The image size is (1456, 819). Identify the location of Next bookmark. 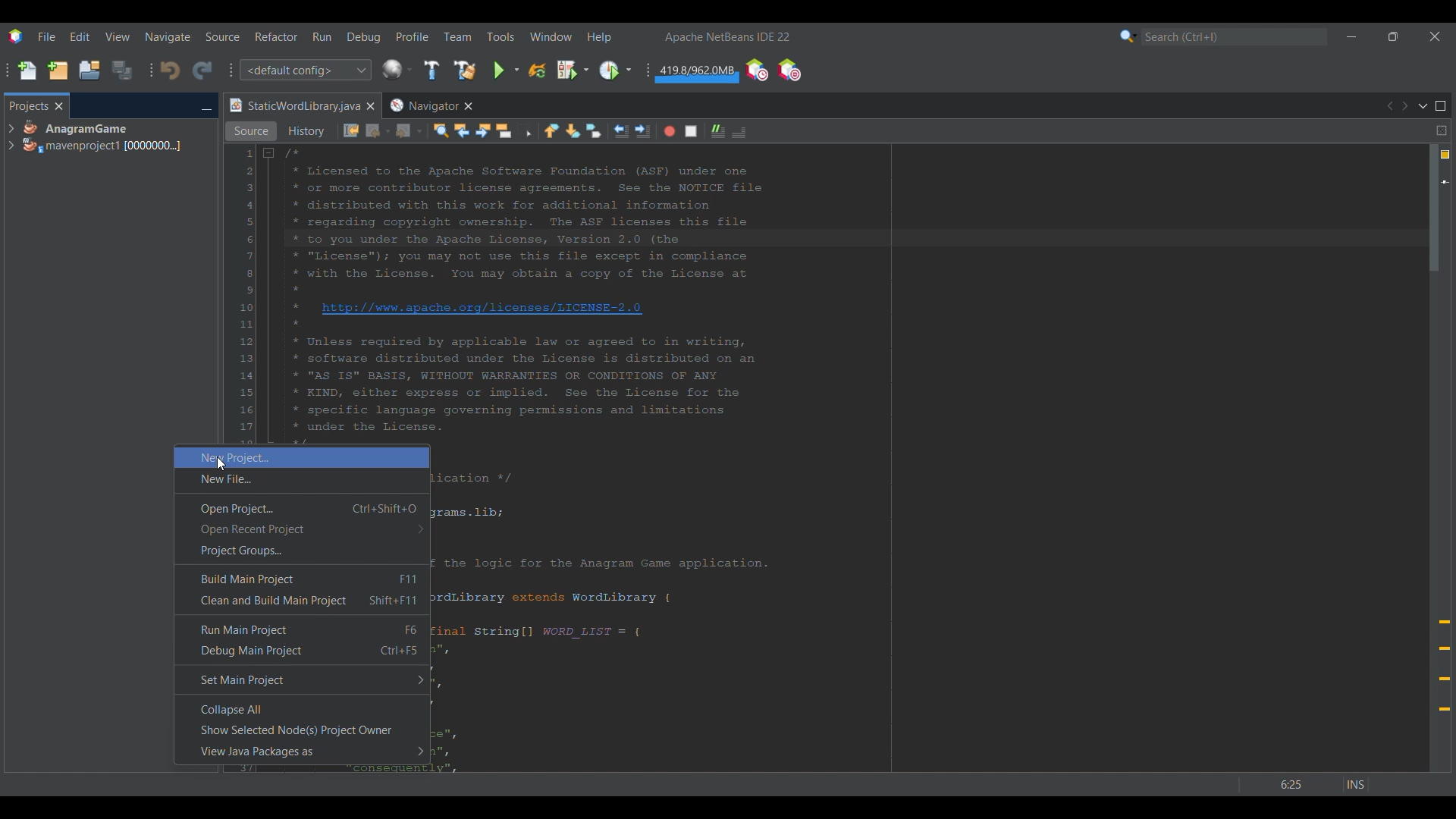
(573, 131).